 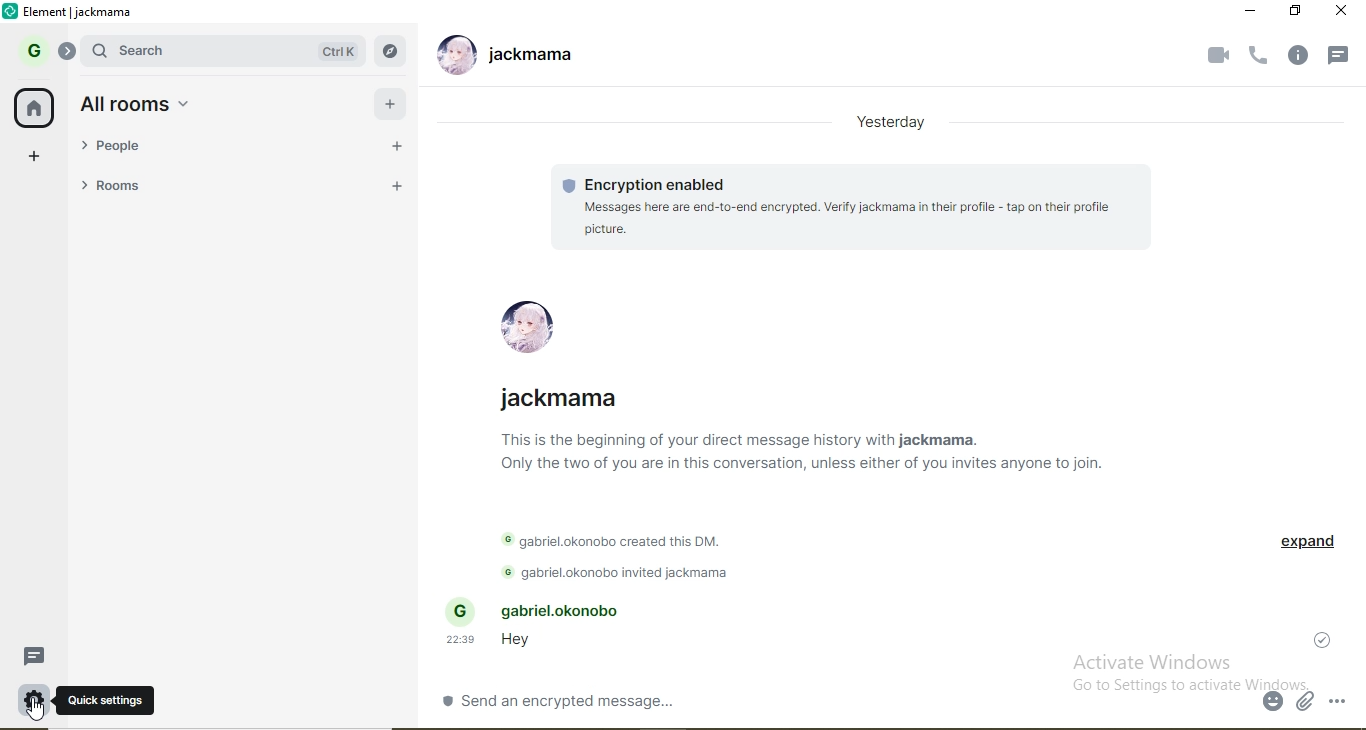 What do you see at coordinates (1307, 543) in the screenshot?
I see `expand` at bounding box center [1307, 543].